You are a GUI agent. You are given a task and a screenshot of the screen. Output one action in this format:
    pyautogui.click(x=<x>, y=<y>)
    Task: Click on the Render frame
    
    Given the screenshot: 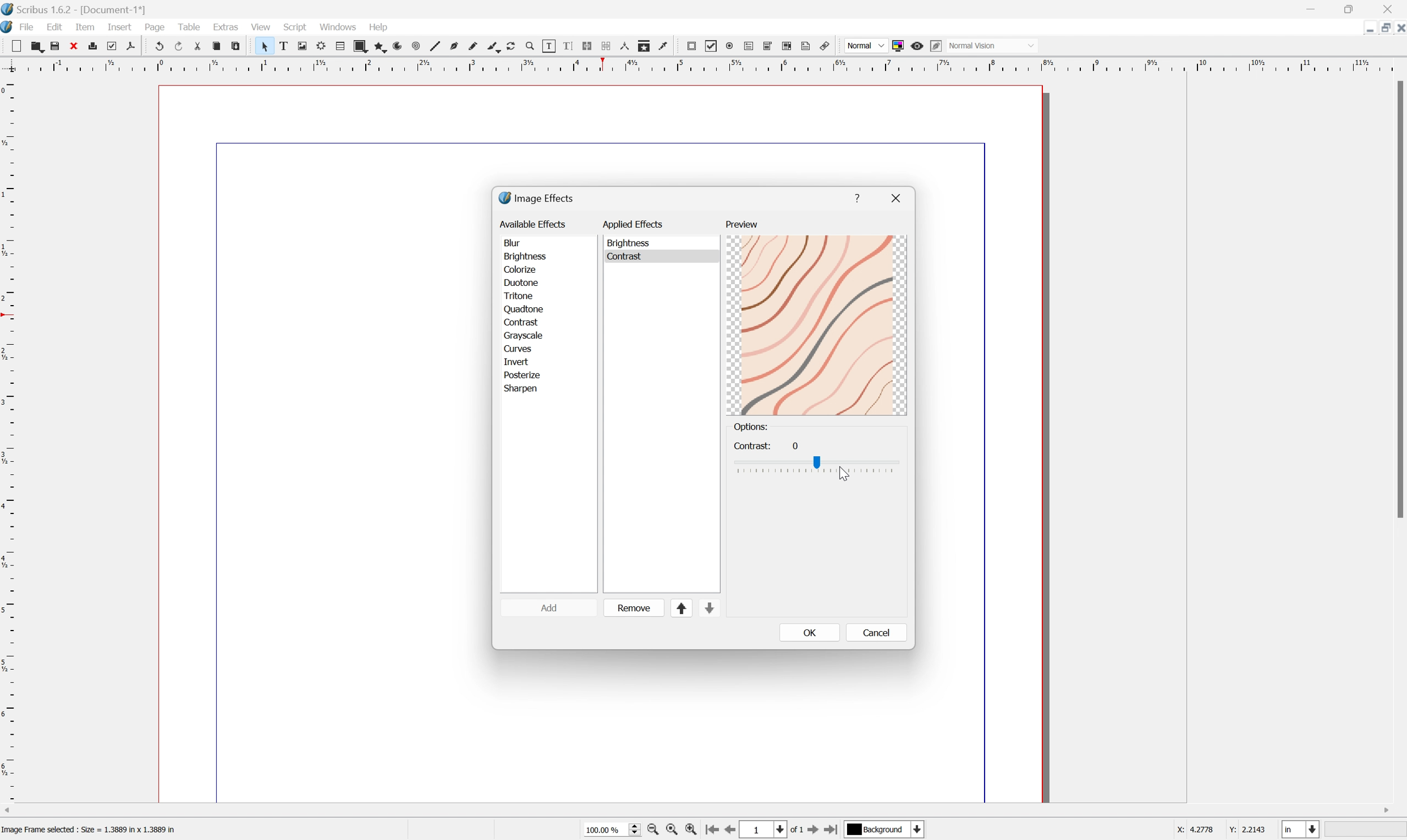 What is the action you would take?
    pyautogui.click(x=322, y=46)
    